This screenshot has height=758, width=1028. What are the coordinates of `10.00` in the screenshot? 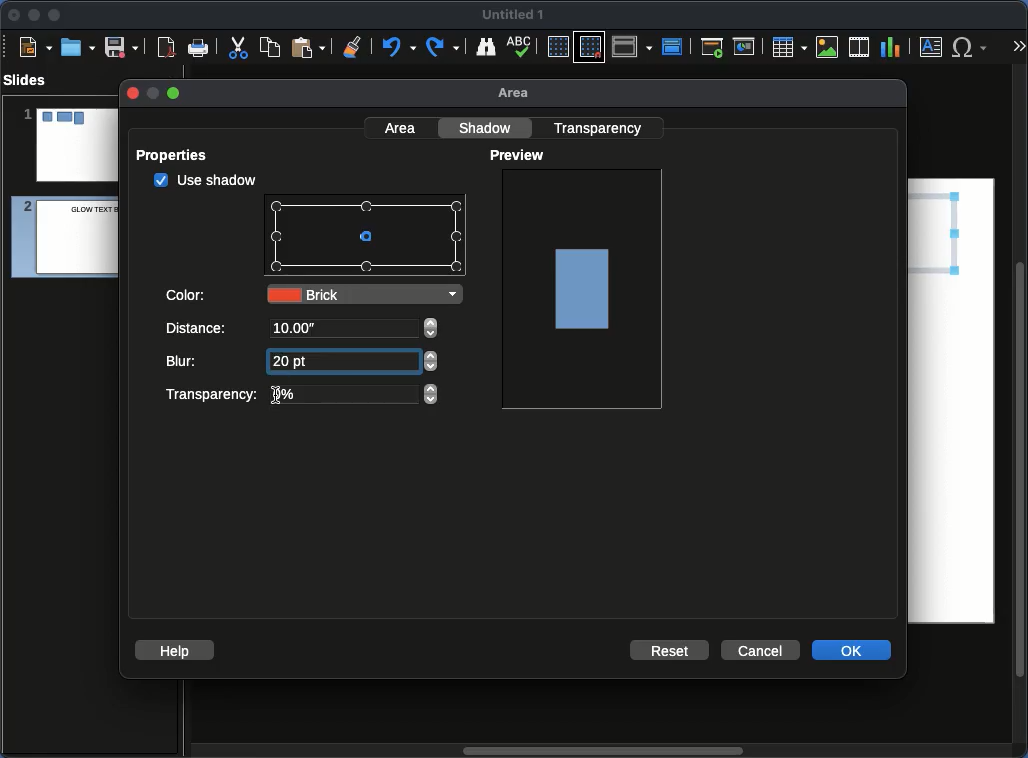 It's located at (295, 329).